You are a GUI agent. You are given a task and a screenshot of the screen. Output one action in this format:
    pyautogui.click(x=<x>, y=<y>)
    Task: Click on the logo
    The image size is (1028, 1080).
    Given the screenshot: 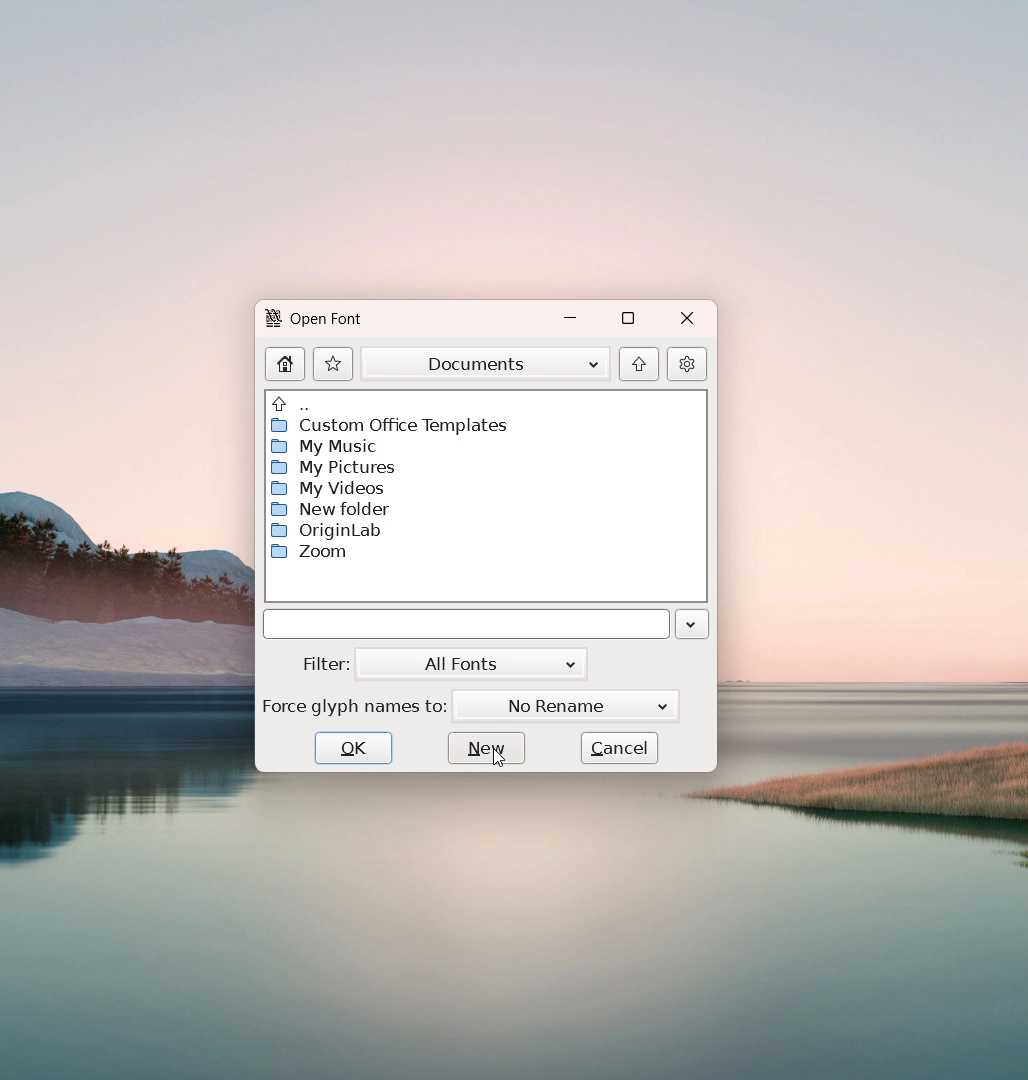 What is the action you would take?
    pyautogui.click(x=273, y=318)
    